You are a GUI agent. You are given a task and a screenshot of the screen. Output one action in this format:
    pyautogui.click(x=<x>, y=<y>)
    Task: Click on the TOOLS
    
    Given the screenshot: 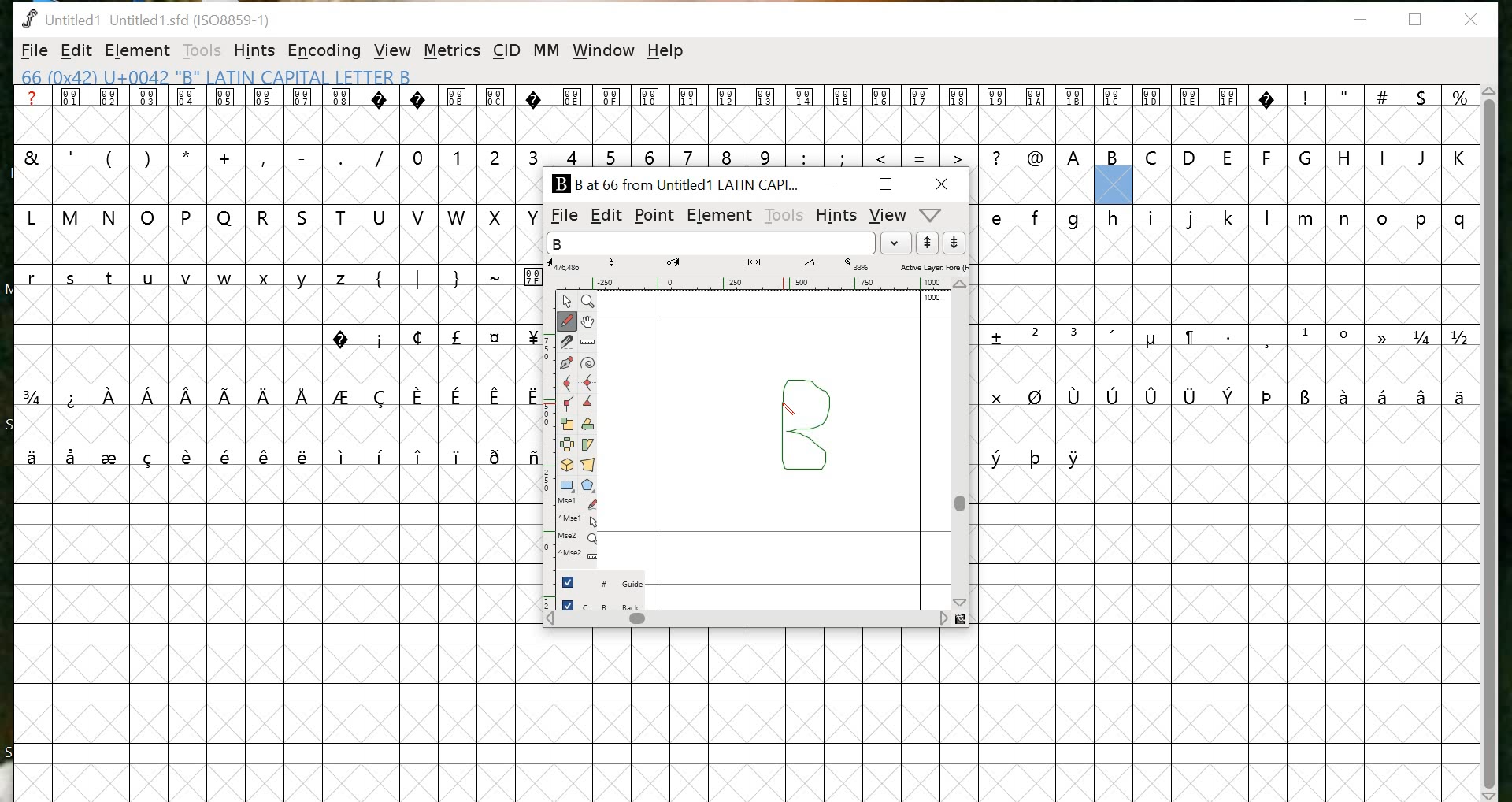 What is the action you would take?
    pyautogui.click(x=783, y=217)
    